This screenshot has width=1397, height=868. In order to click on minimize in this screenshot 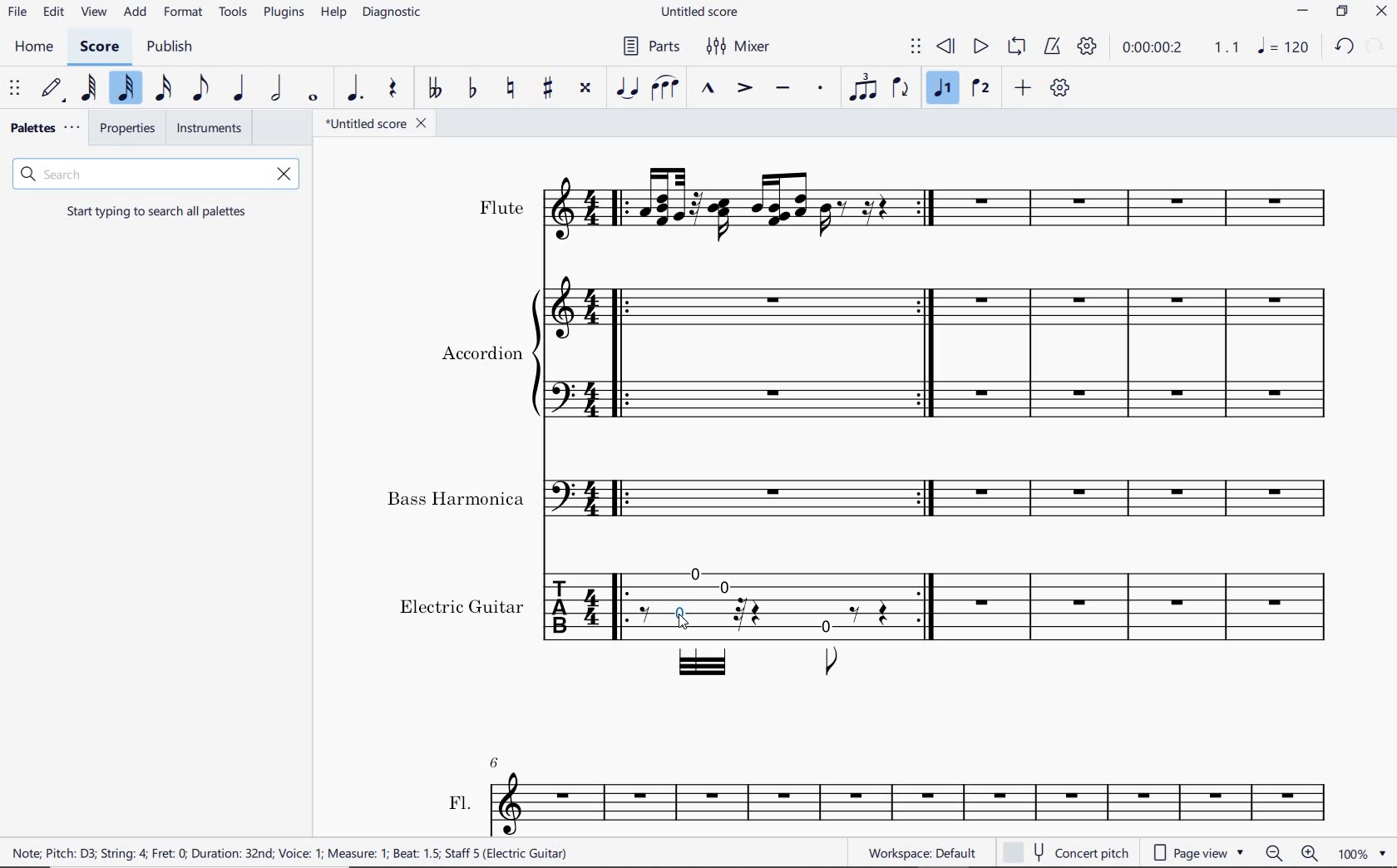, I will do `click(1303, 12)`.